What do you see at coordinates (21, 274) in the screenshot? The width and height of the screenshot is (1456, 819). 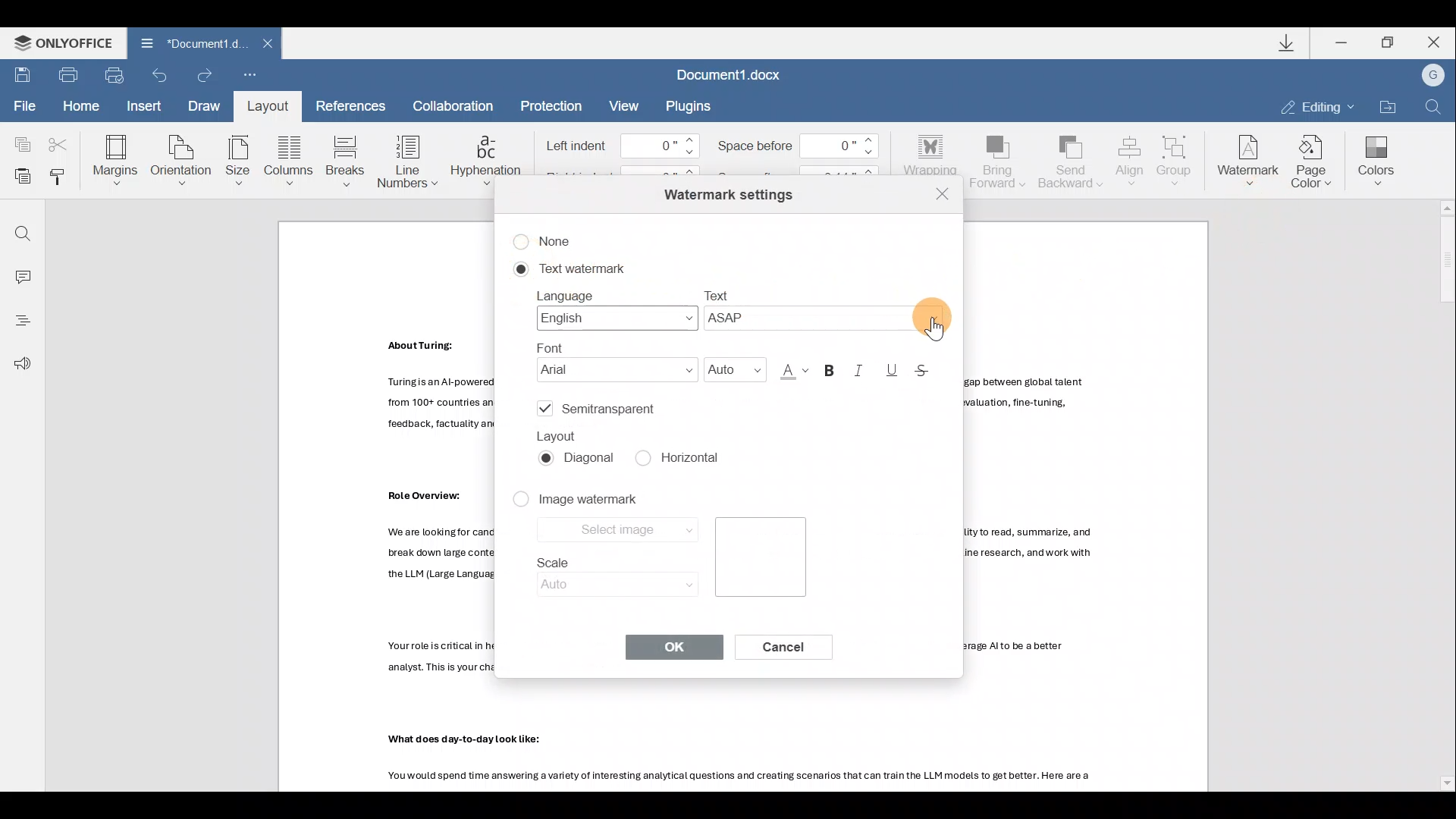 I see `Comment` at bounding box center [21, 274].